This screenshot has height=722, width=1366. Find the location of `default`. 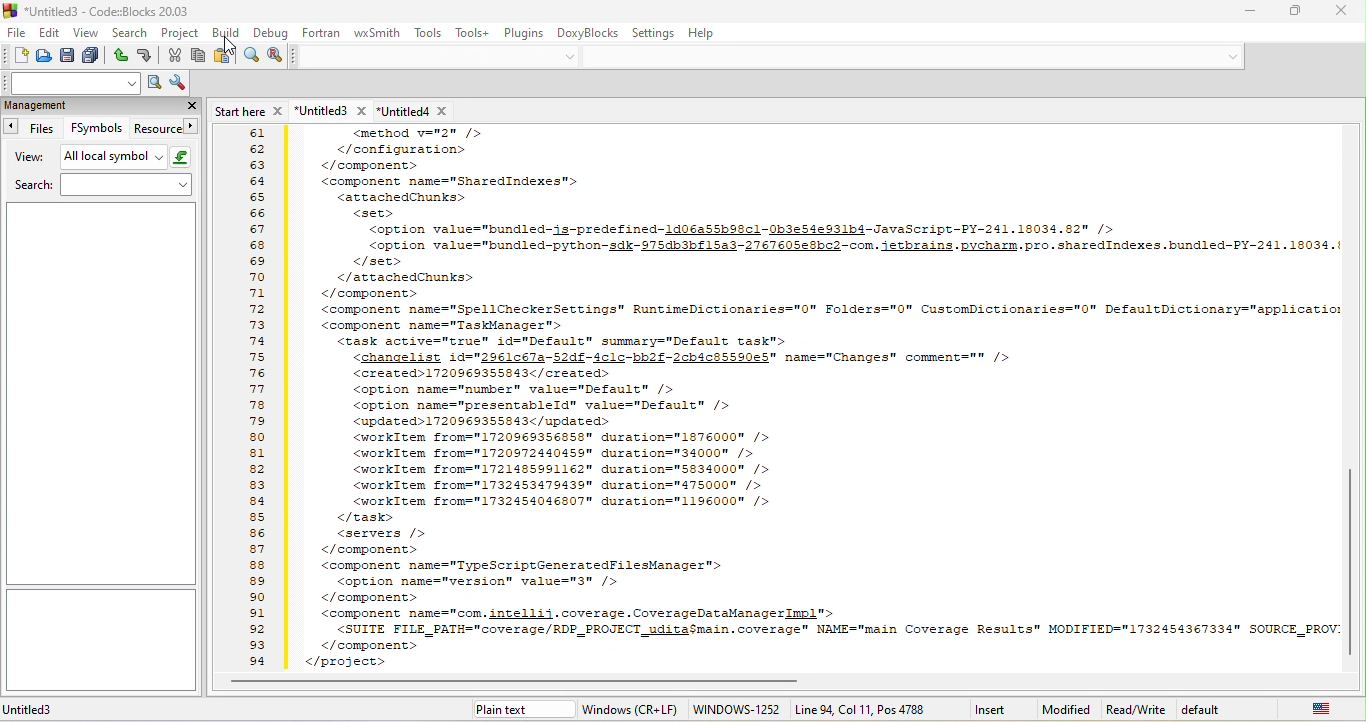

default is located at coordinates (1227, 709).